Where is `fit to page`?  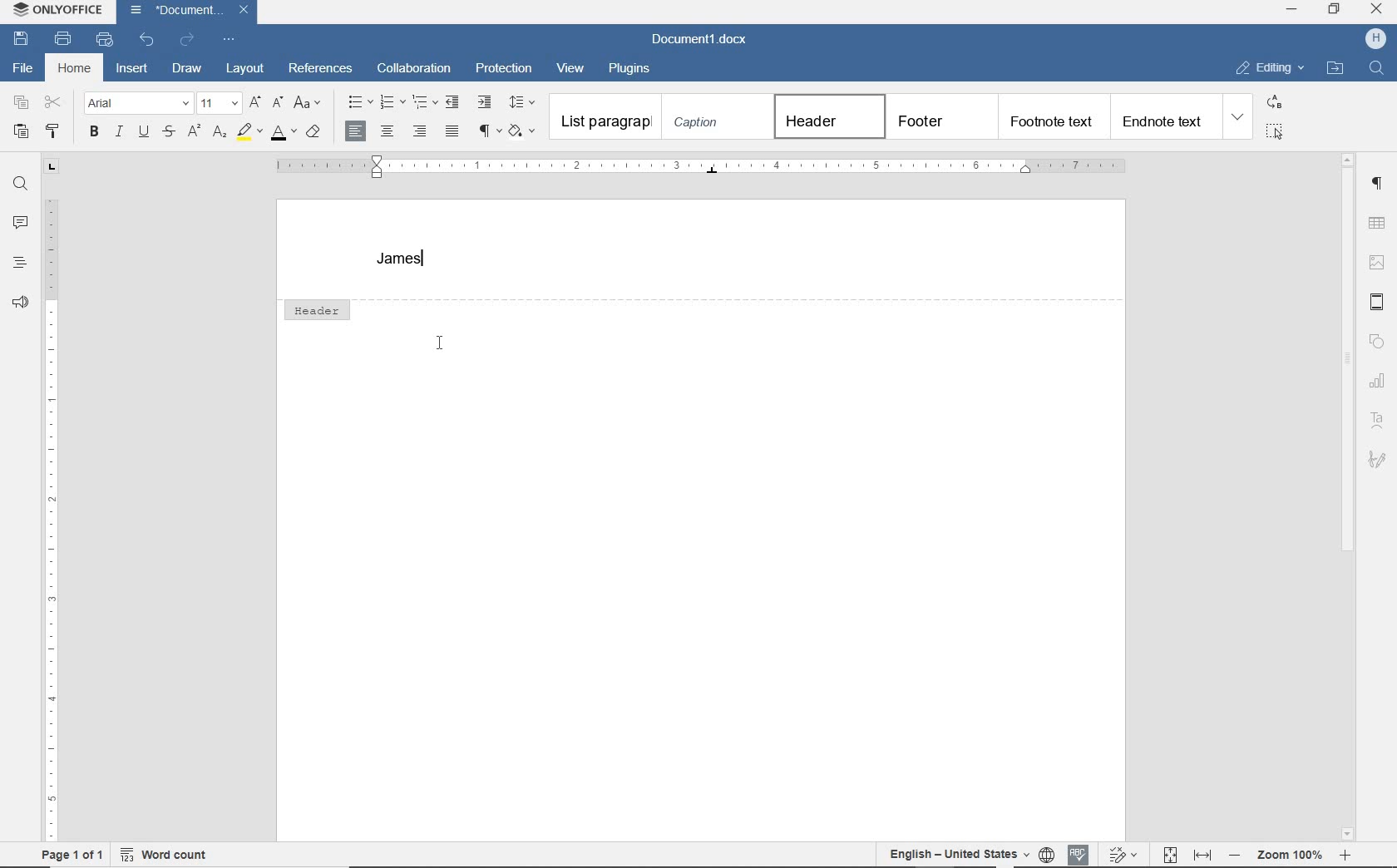 fit to page is located at coordinates (1169, 855).